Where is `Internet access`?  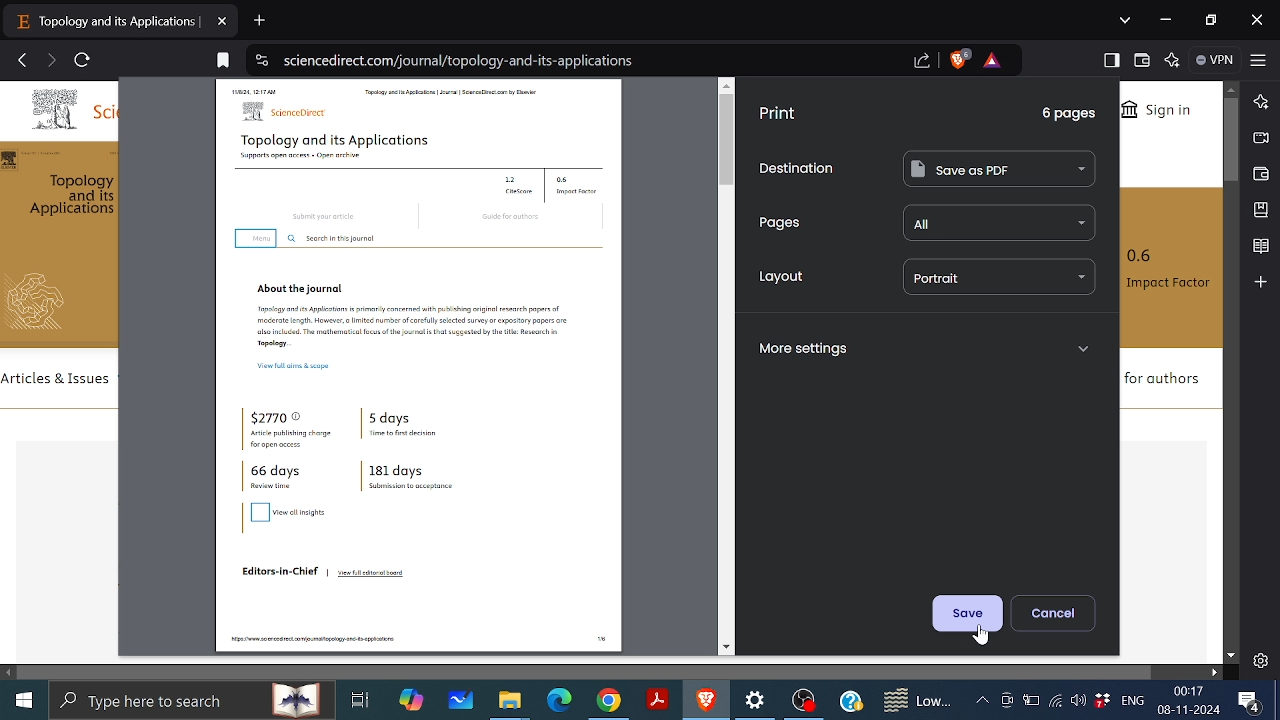
Internet access is located at coordinates (1052, 701).